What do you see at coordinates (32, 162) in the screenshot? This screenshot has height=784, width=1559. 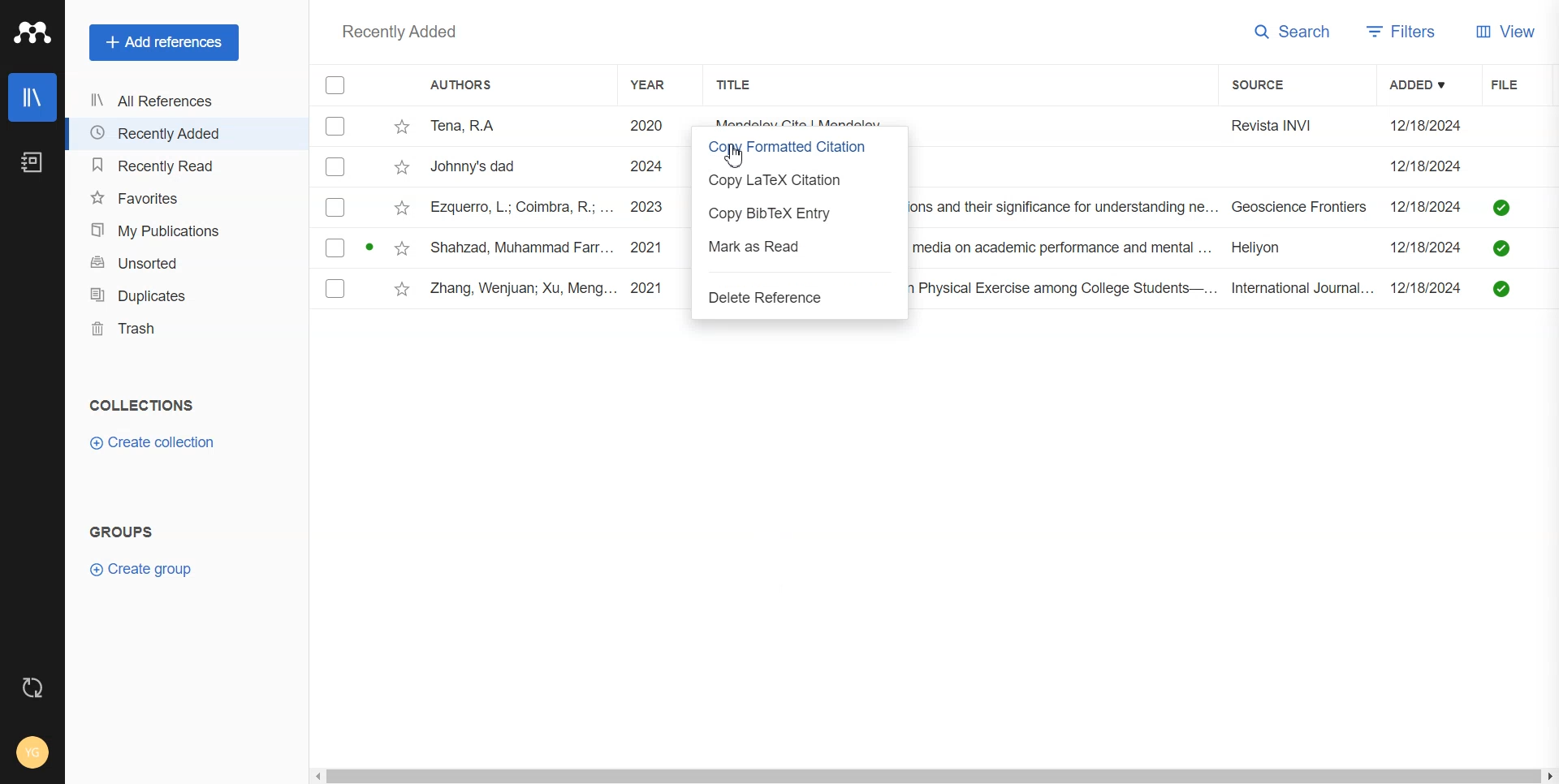 I see `Notebook` at bounding box center [32, 162].